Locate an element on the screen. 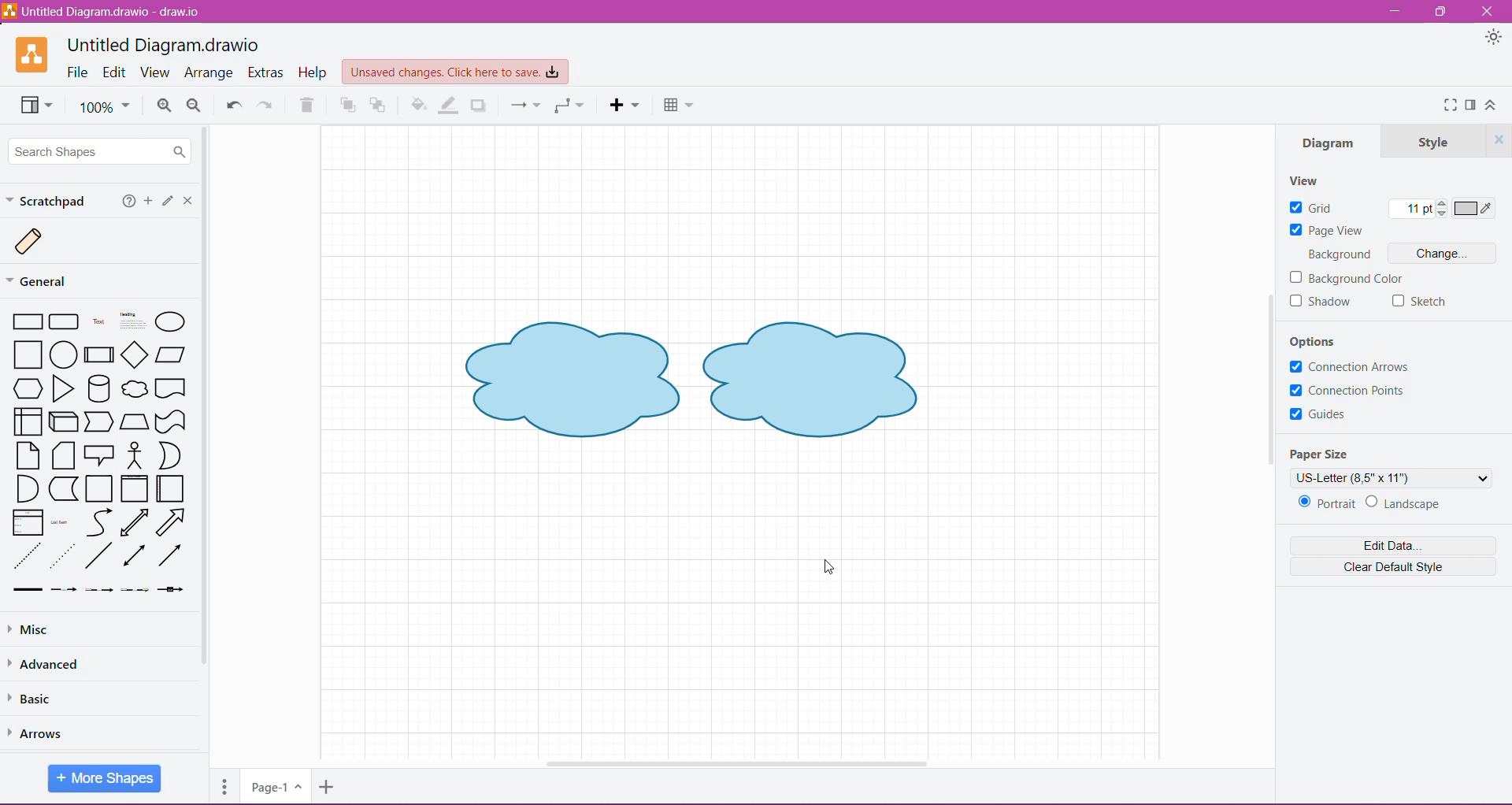  Vertical Scroll Bar is located at coordinates (208, 440).